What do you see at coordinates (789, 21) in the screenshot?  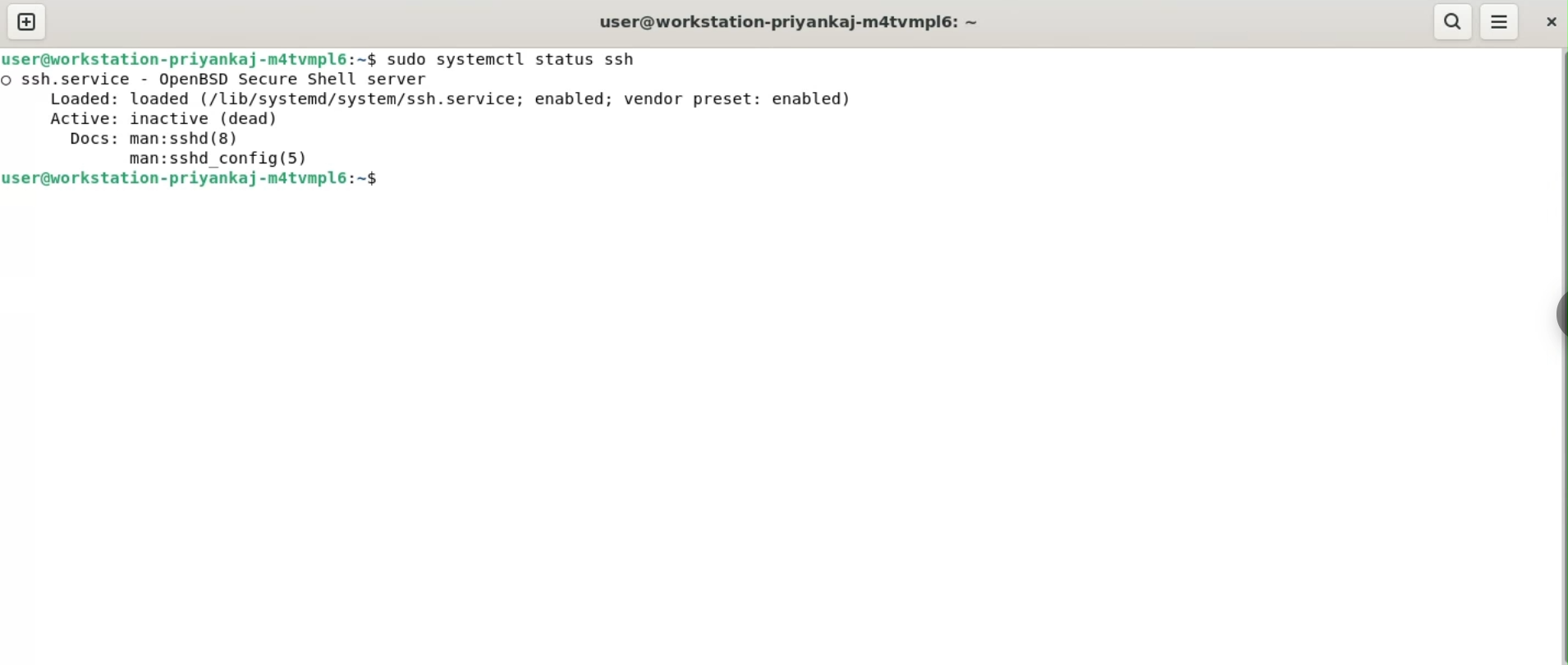 I see `user@workstation-priyankaj-m4tvmpl6:~` at bounding box center [789, 21].